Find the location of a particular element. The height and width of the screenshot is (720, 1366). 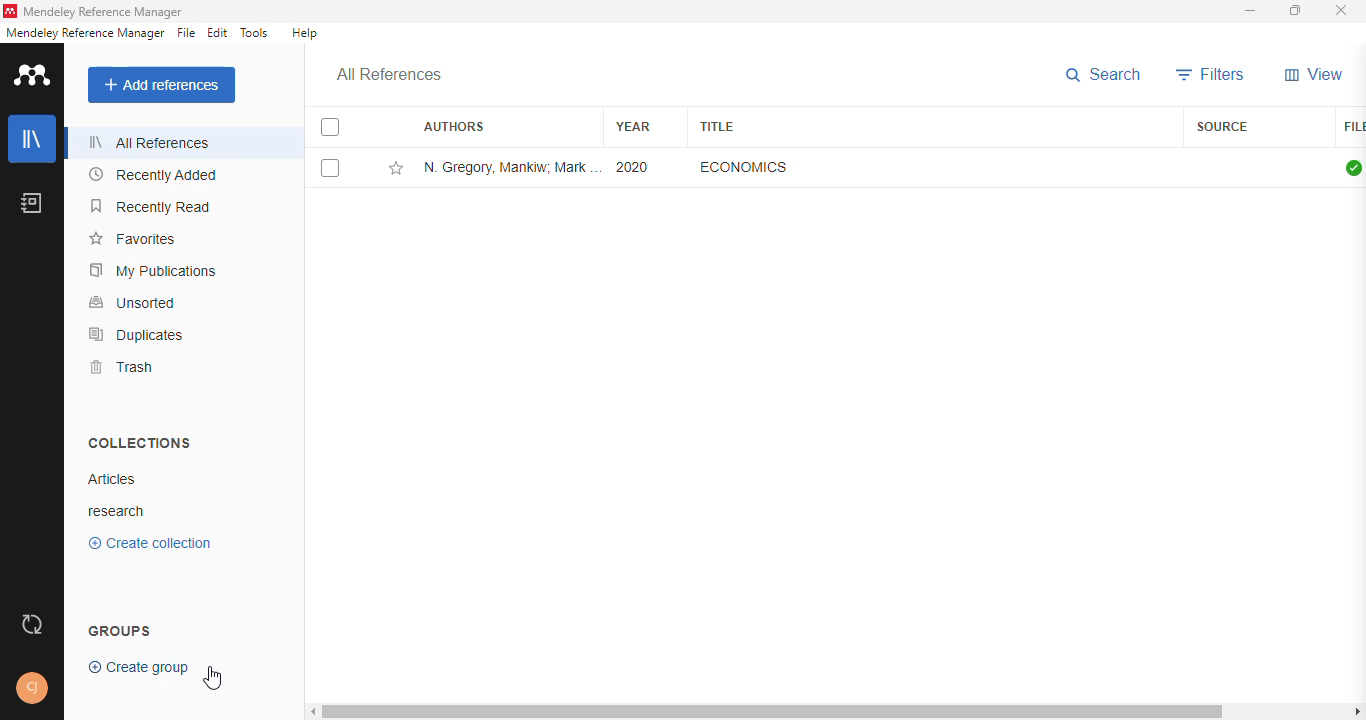

recently added is located at coordinates (153, 174).